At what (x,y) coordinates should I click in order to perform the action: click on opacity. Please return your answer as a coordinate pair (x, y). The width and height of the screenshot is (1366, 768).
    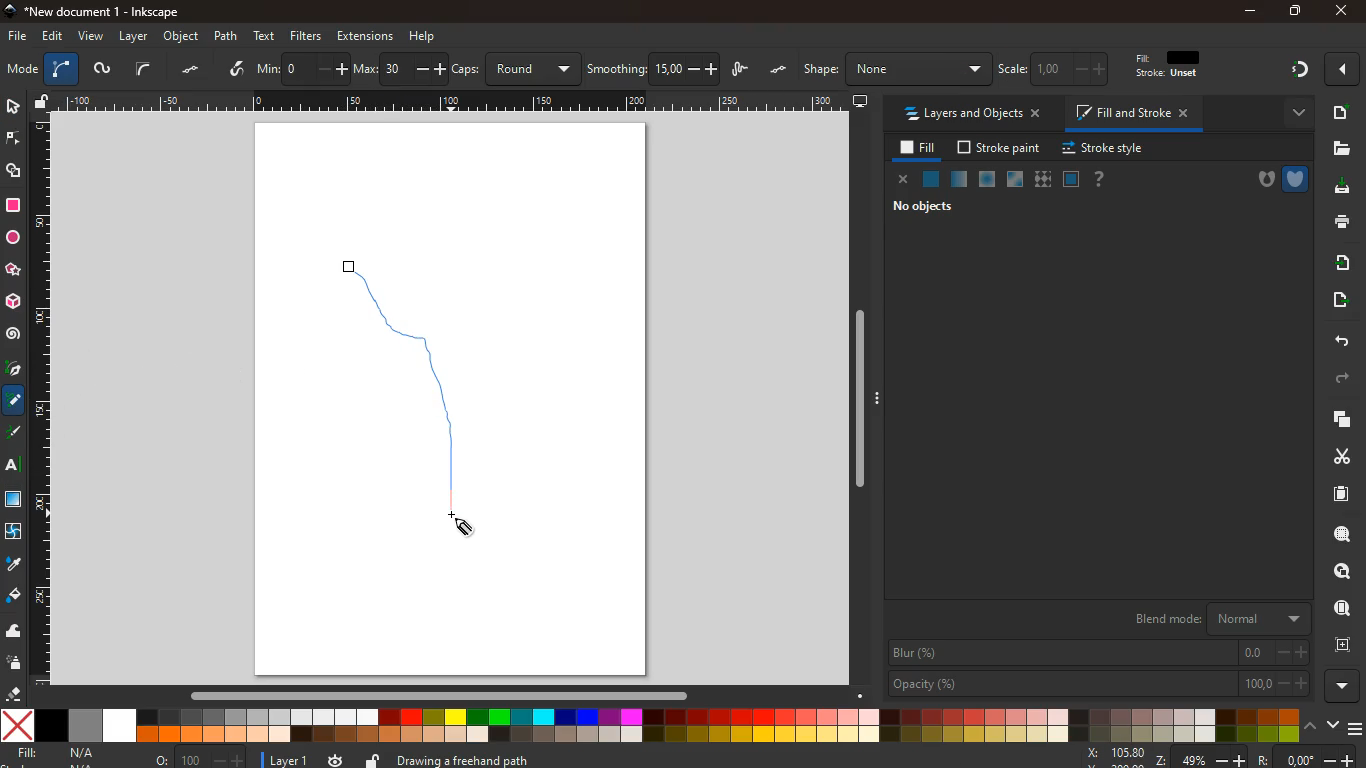
    Looking at the image, I should click on (1099, 684).